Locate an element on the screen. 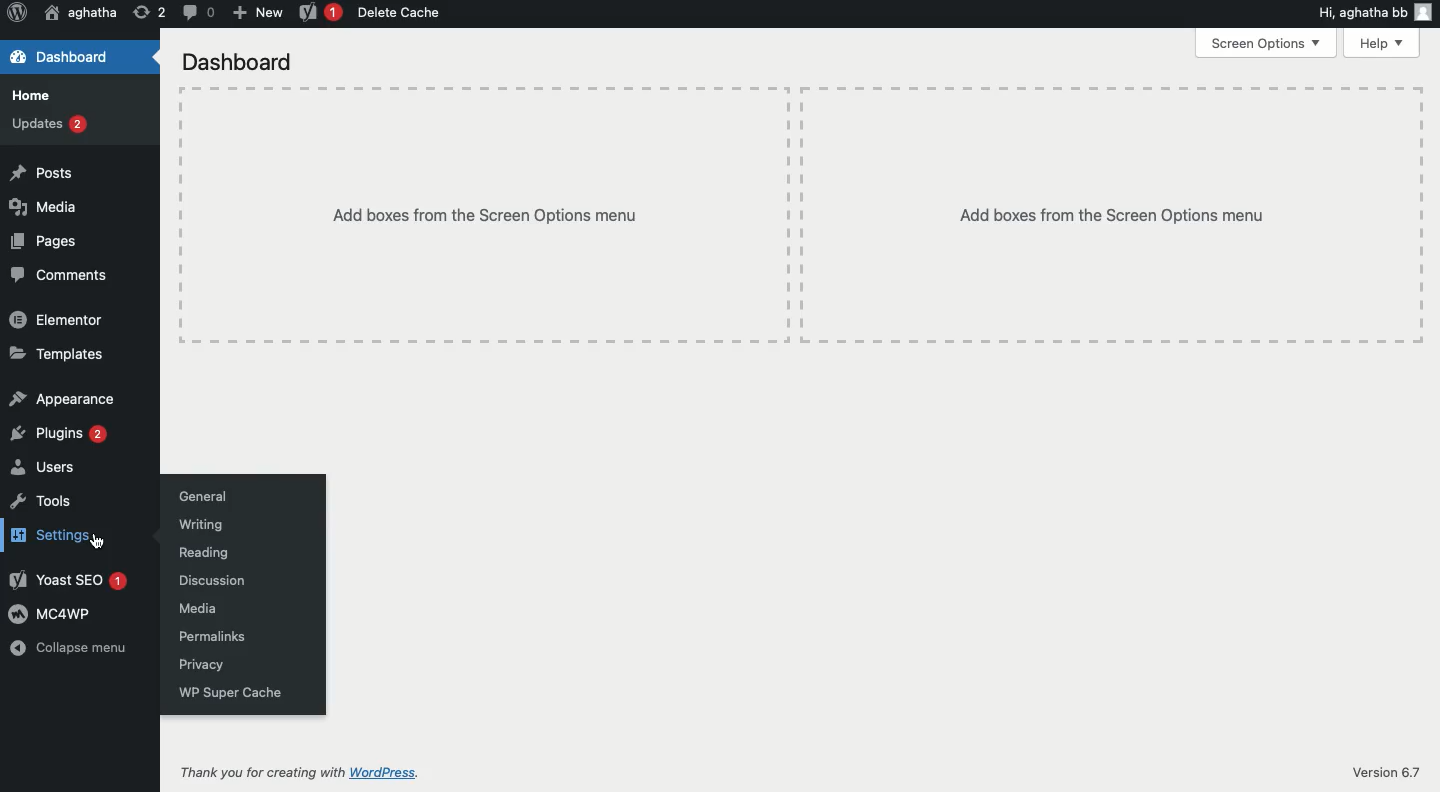 This screenshot has width=1440, height=792. Table line is located at coordinates (803, 87).